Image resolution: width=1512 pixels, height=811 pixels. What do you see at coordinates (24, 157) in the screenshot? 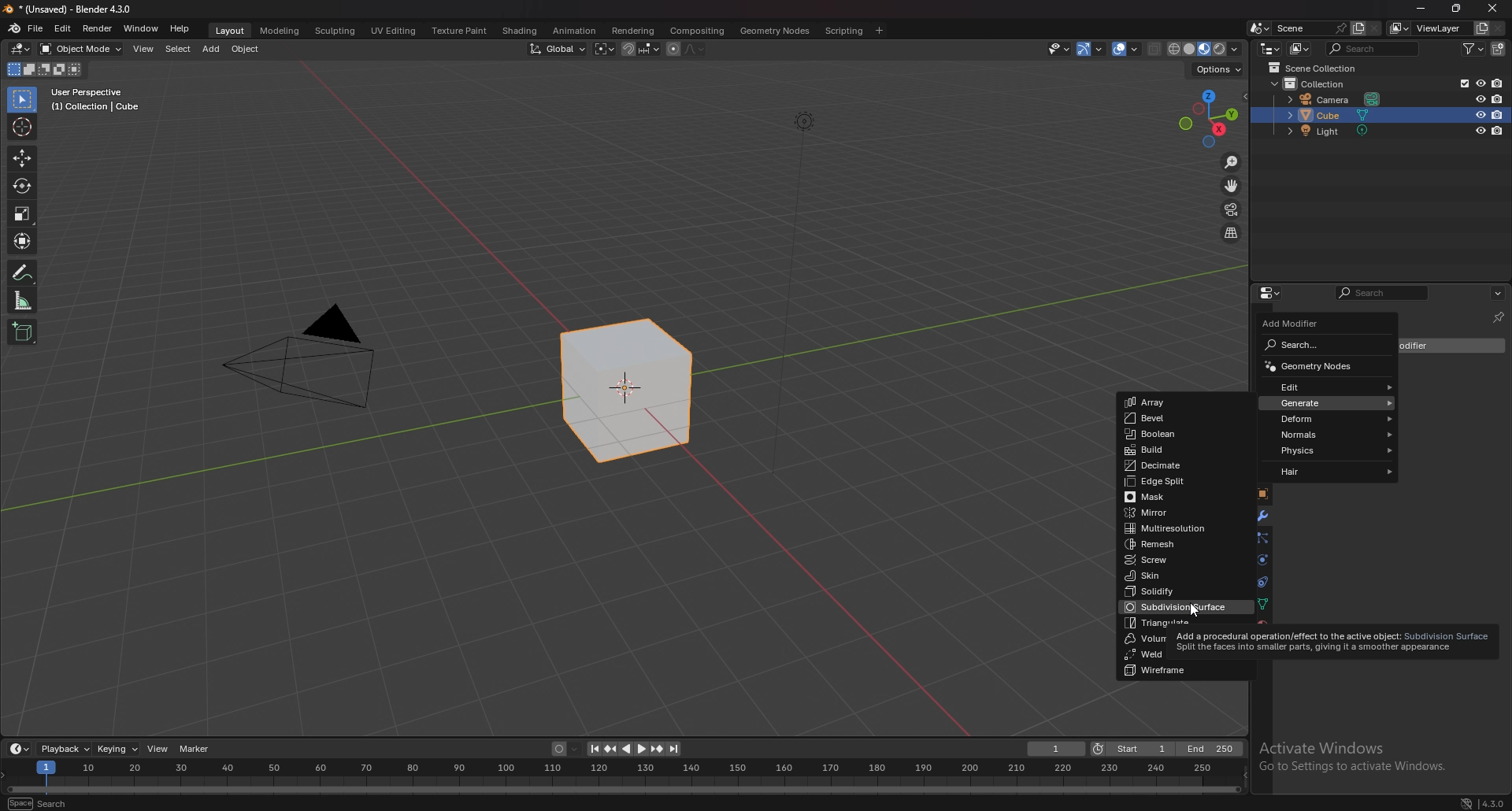
I see `move` at bounding box center [24, 157].